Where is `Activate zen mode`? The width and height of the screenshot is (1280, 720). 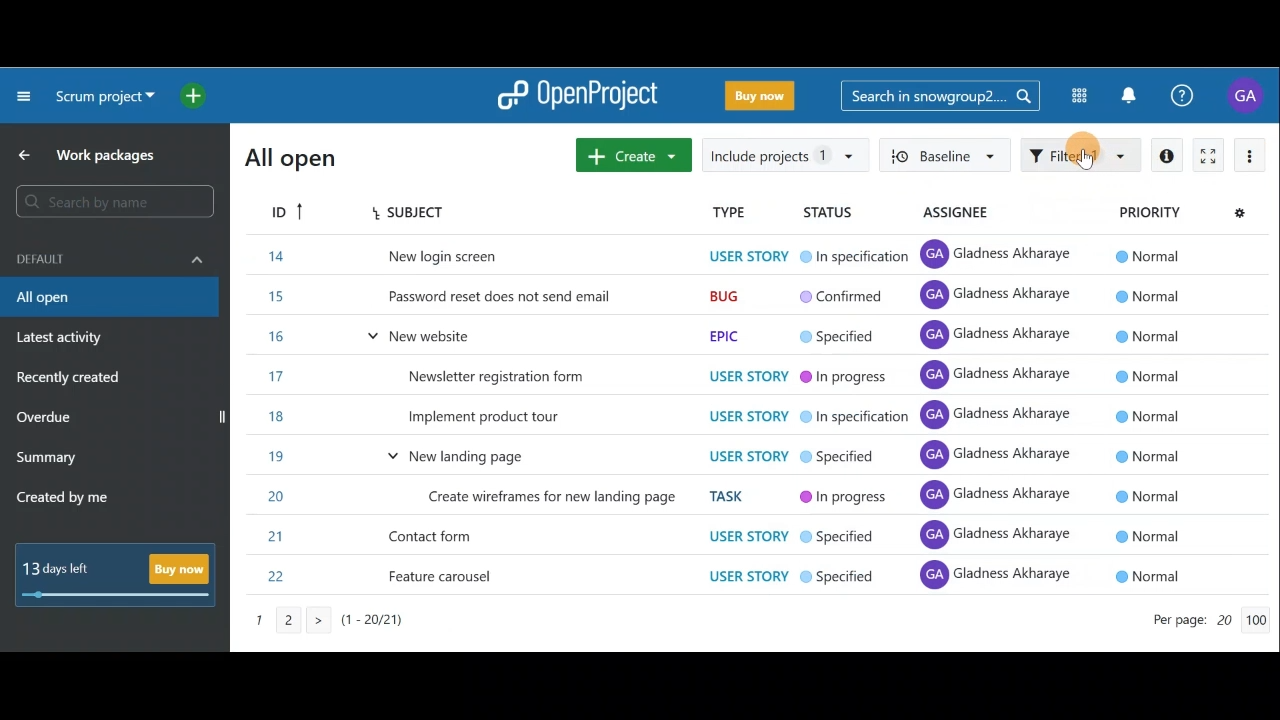 Activate zen mode is located at coordinates (1206, 157).